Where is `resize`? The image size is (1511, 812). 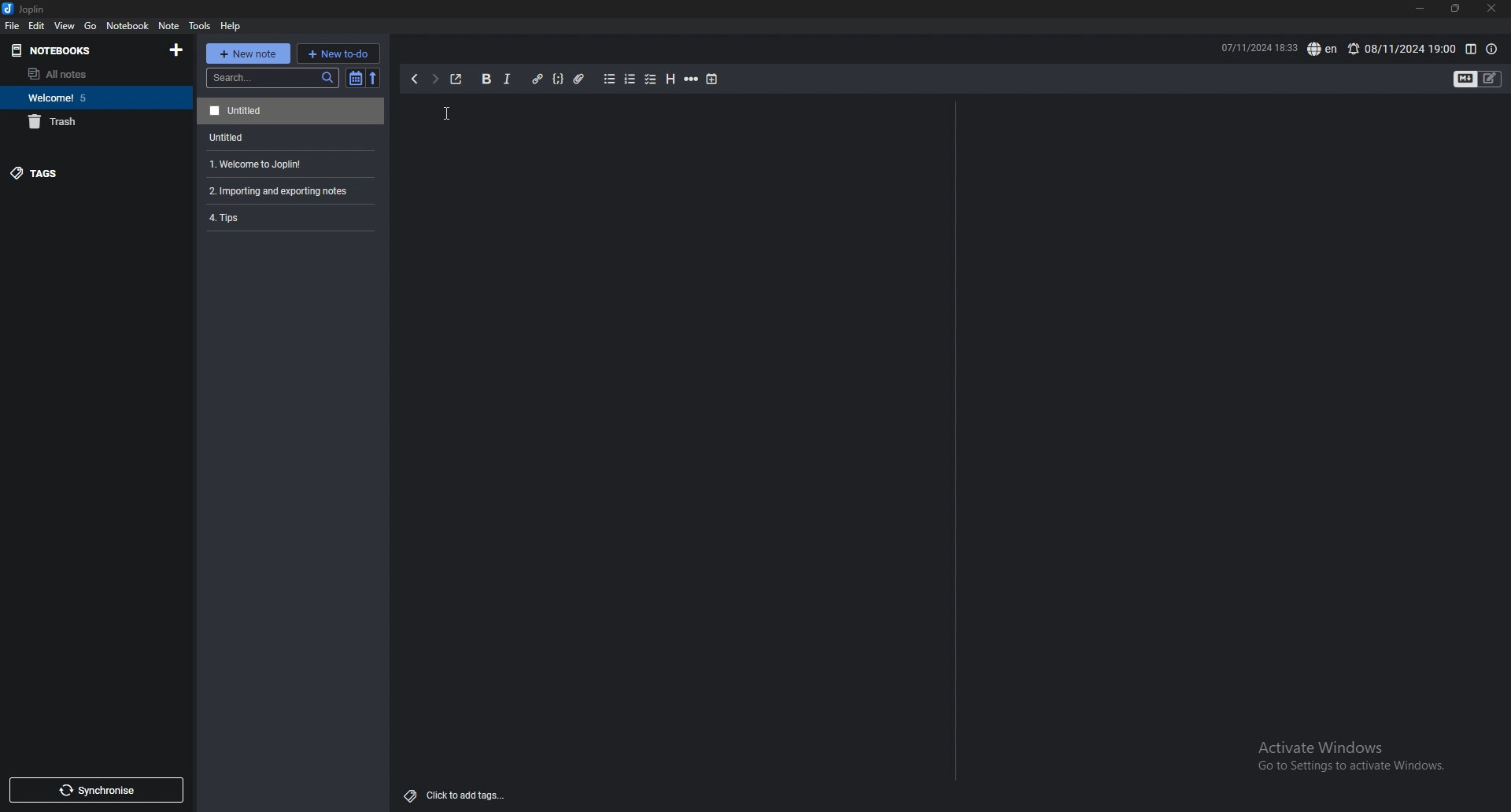 resize is located at coordinates (1454, 9).